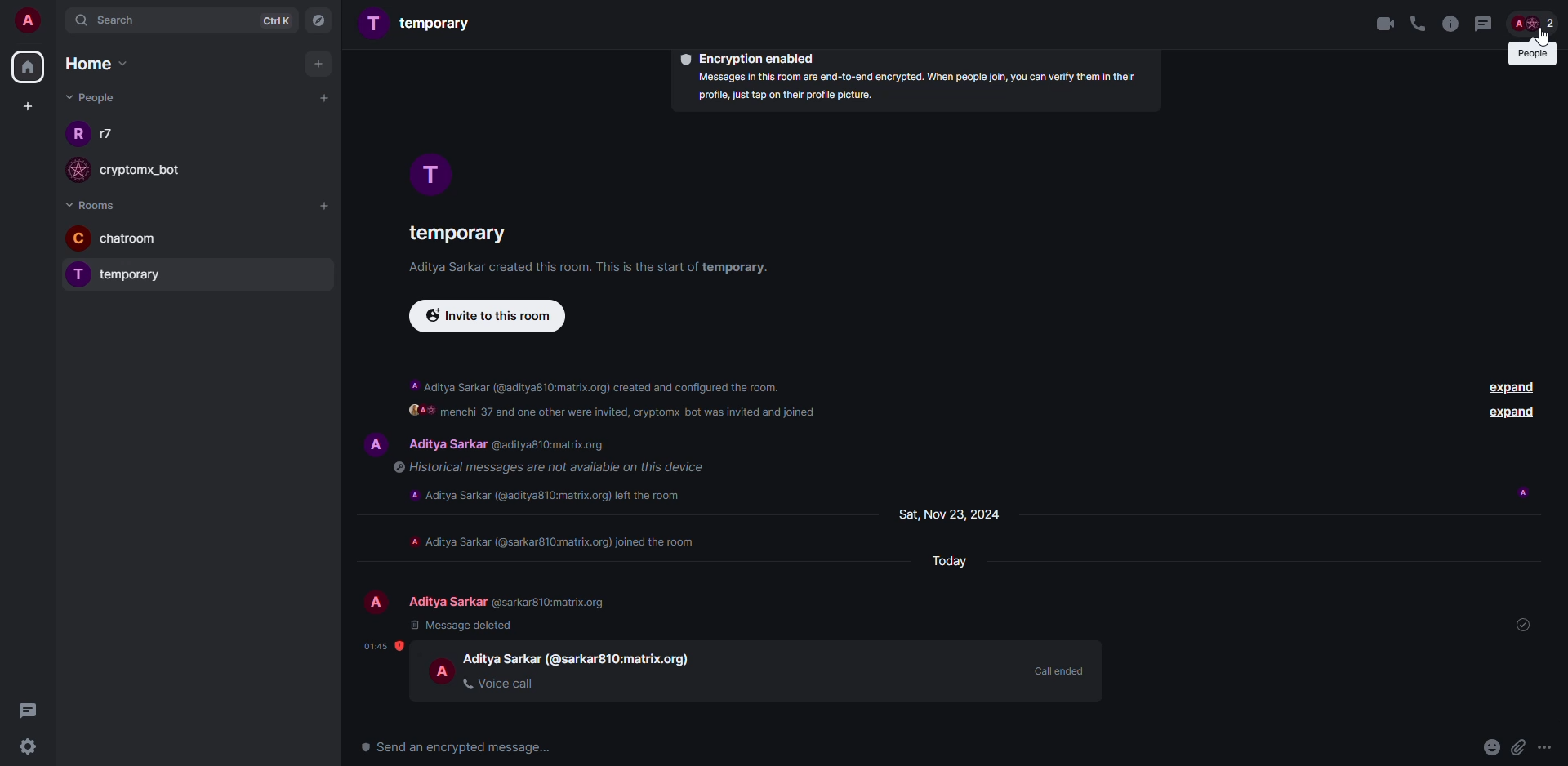 The image size is (1568, 766). Describe the element at coordinates (1521, 493) in the screenshot. I see `seen` at that location.